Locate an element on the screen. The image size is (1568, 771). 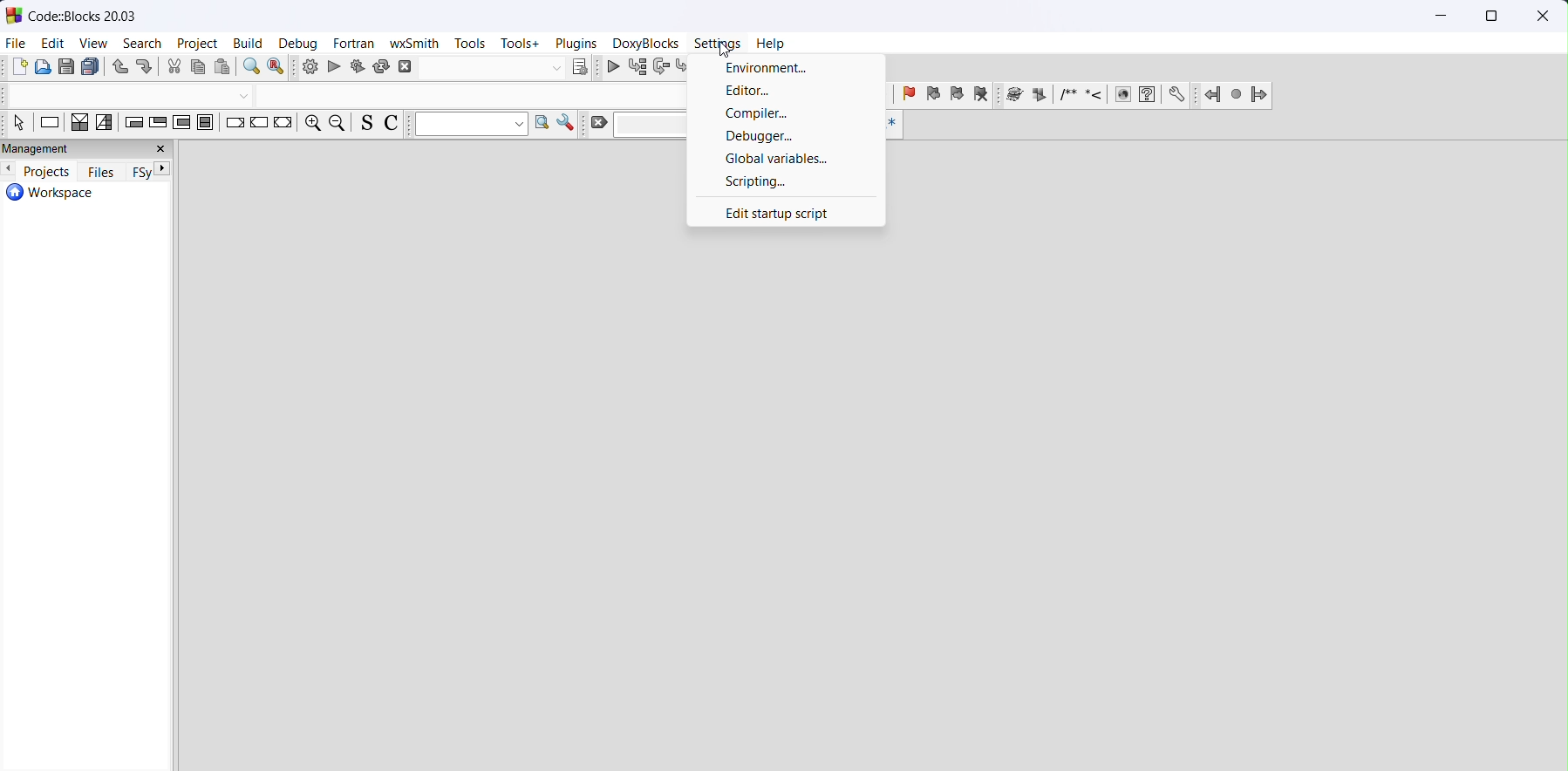
save everything is located at coordinates (91, 68).